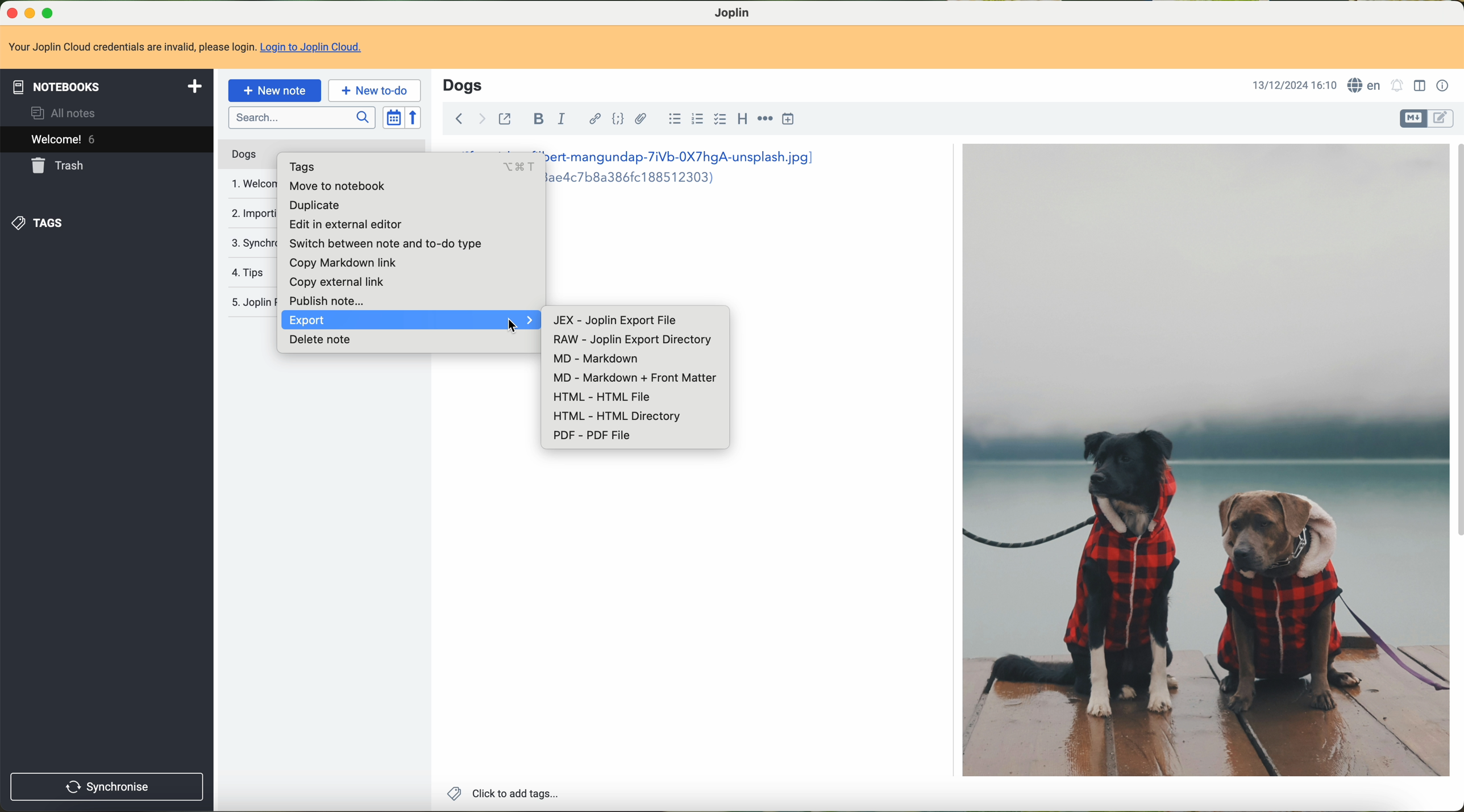  Describe the element at coordinates (315, 206) in the screenshot. I see `duplicate` at that location.